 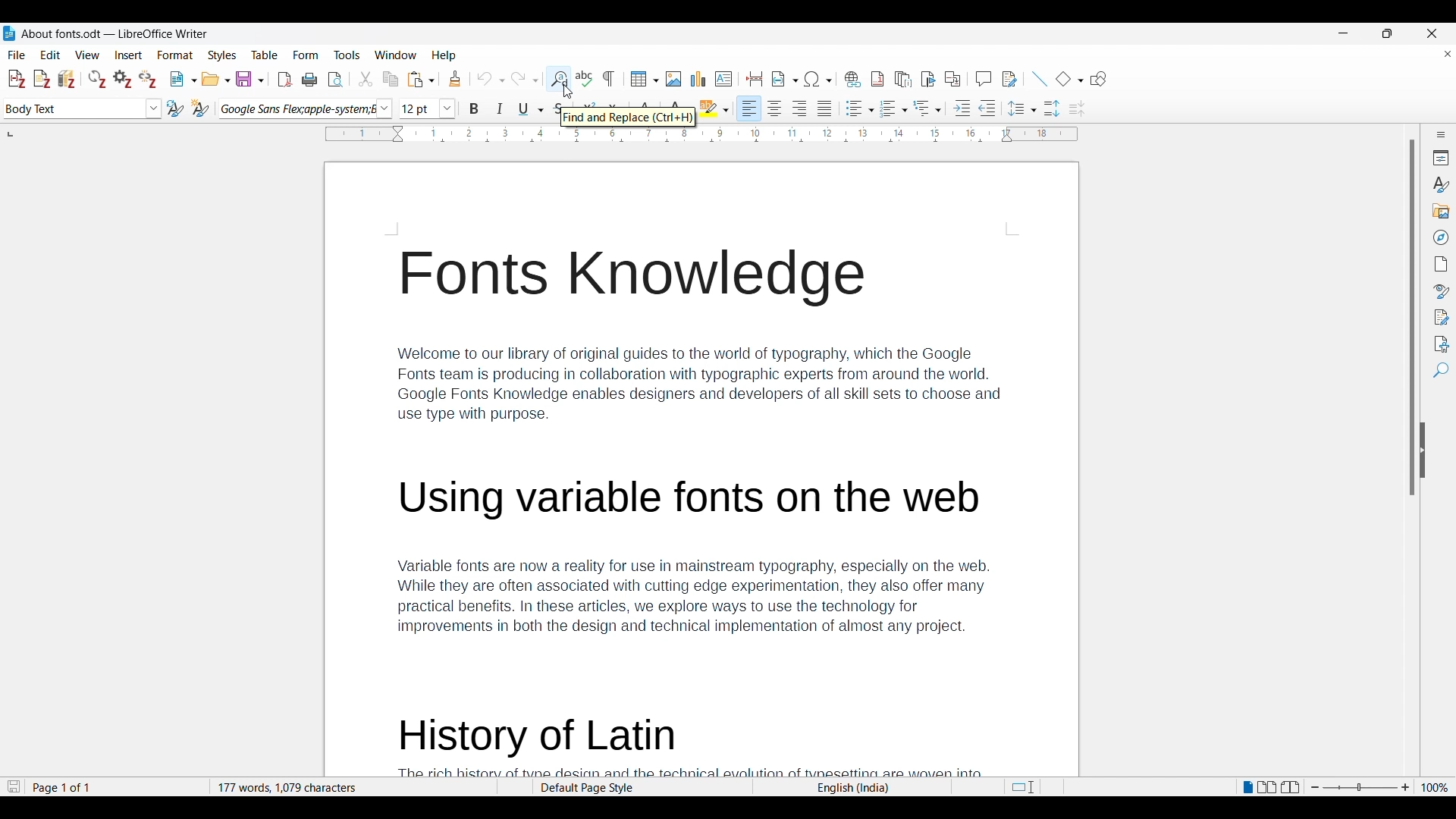 I want to click on Insert footnote, so click(x=877, y=79).